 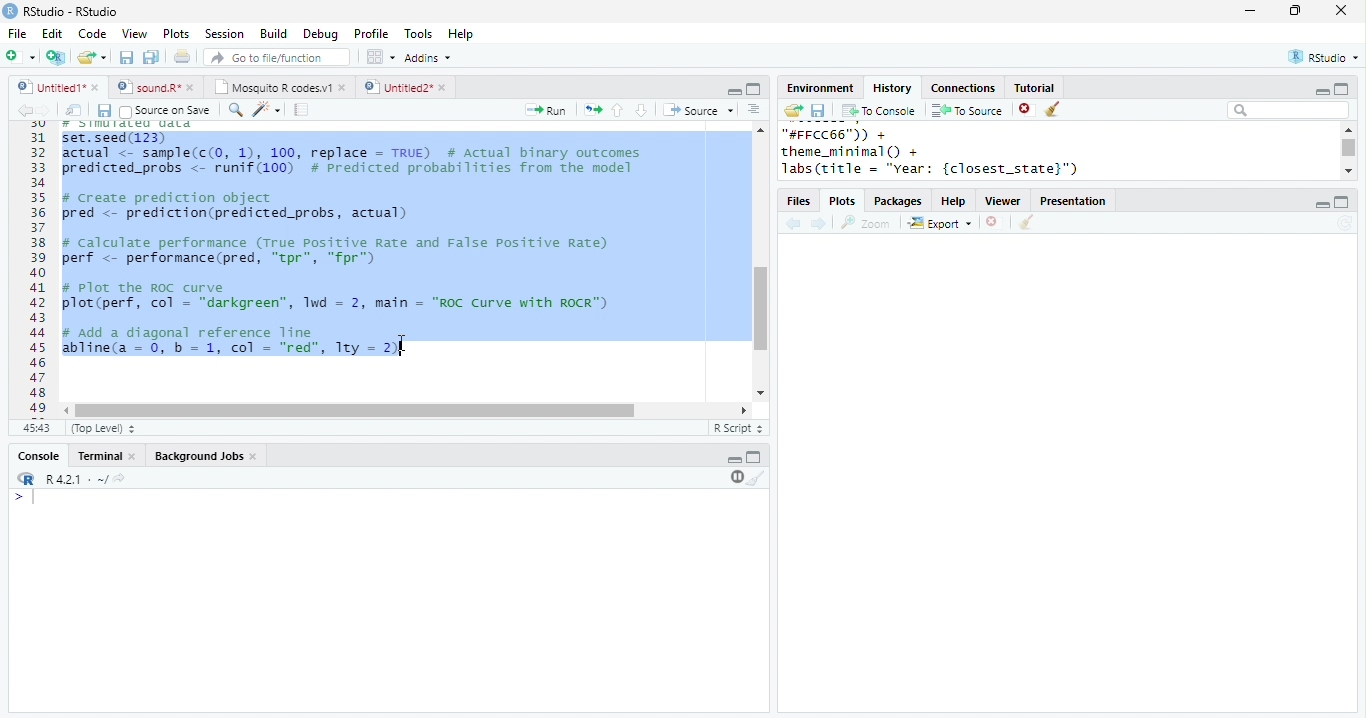 What do you see at coordinates (234, 207) in the screenshot?
I see `# Create prediction object
pred <- prediction(predicted_probs, actual)` at bounding box center [234, 207].